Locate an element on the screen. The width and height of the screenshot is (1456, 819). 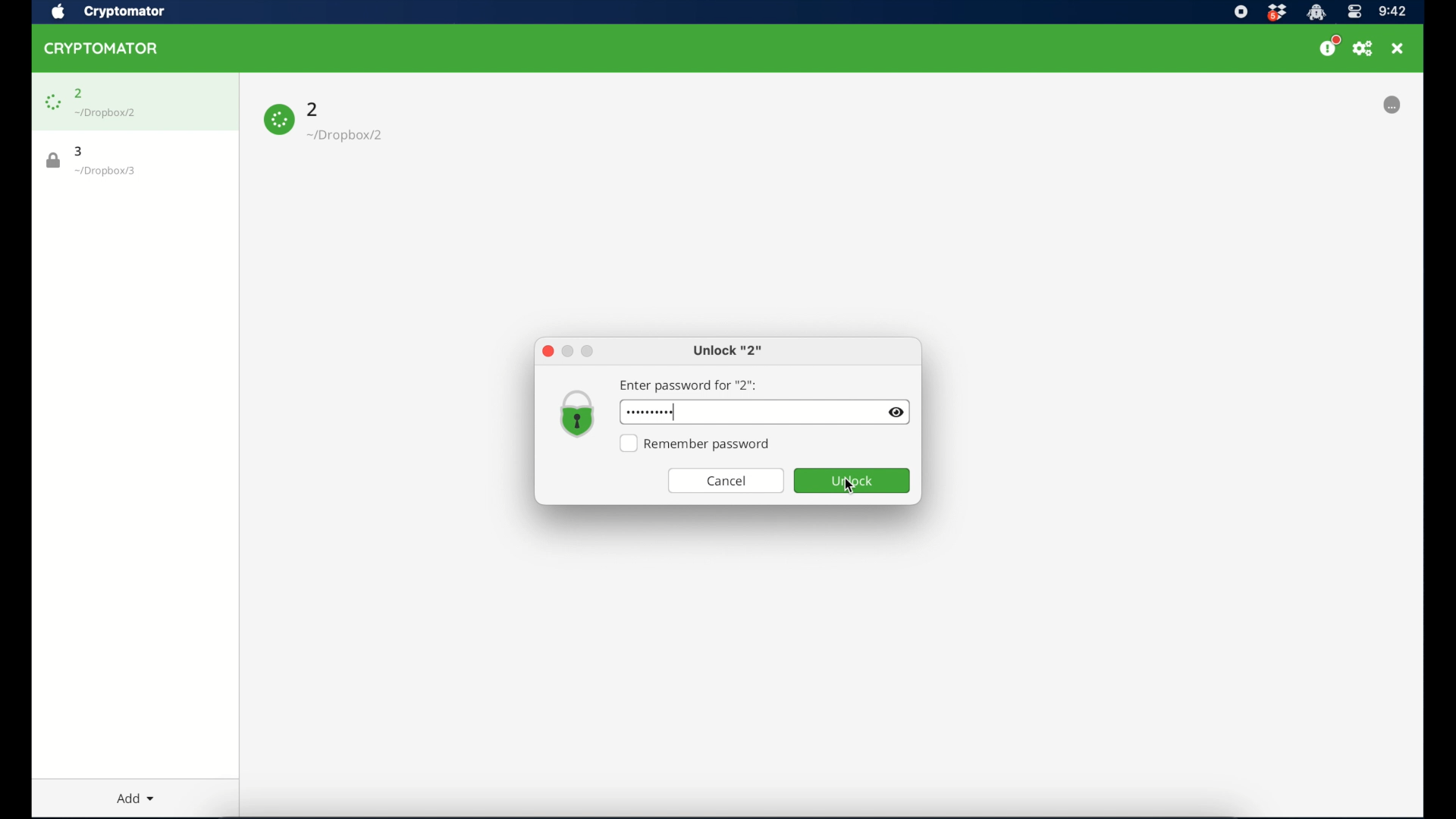
loading is located at coordinates (1392, 105).